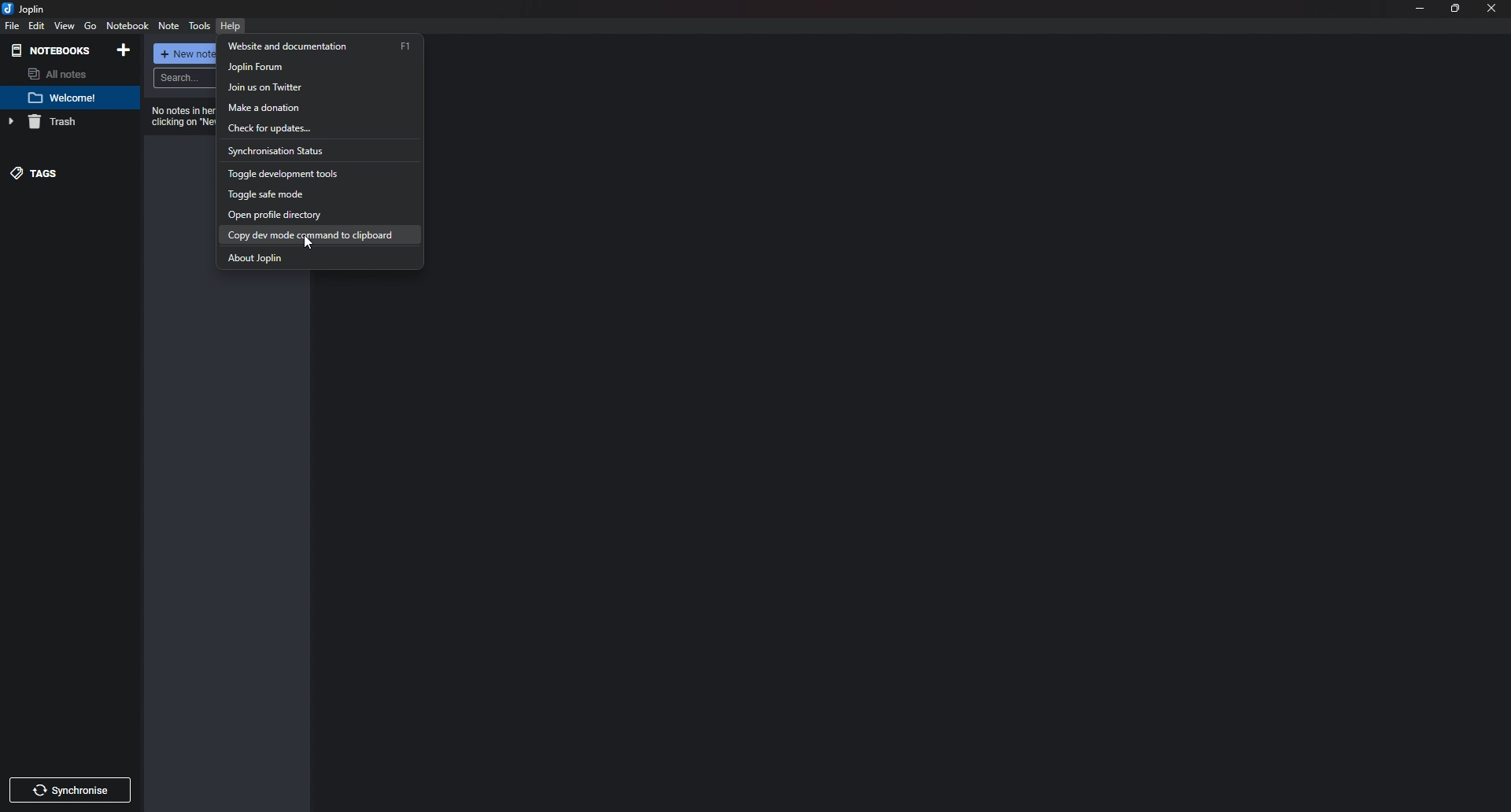  I want to click on Notebooks, so click(52, 51).